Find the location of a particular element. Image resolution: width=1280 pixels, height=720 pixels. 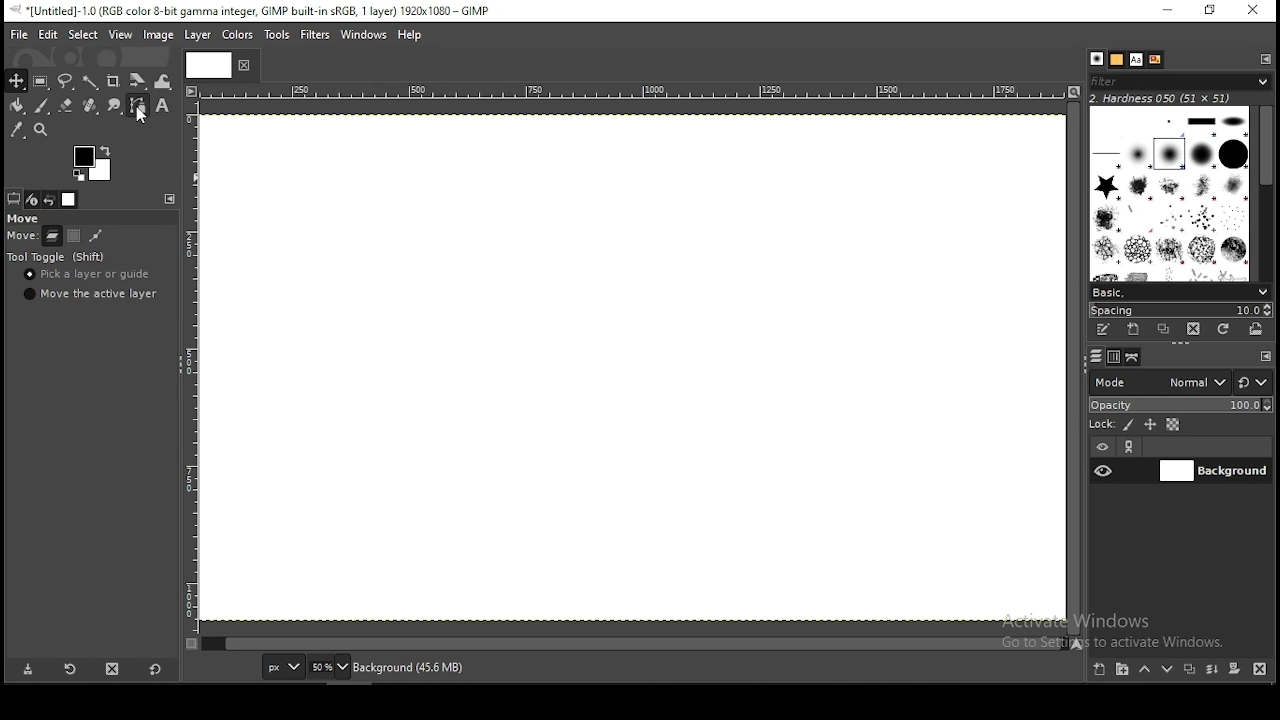

duplicate layer is located at coordinates (1191, 670).